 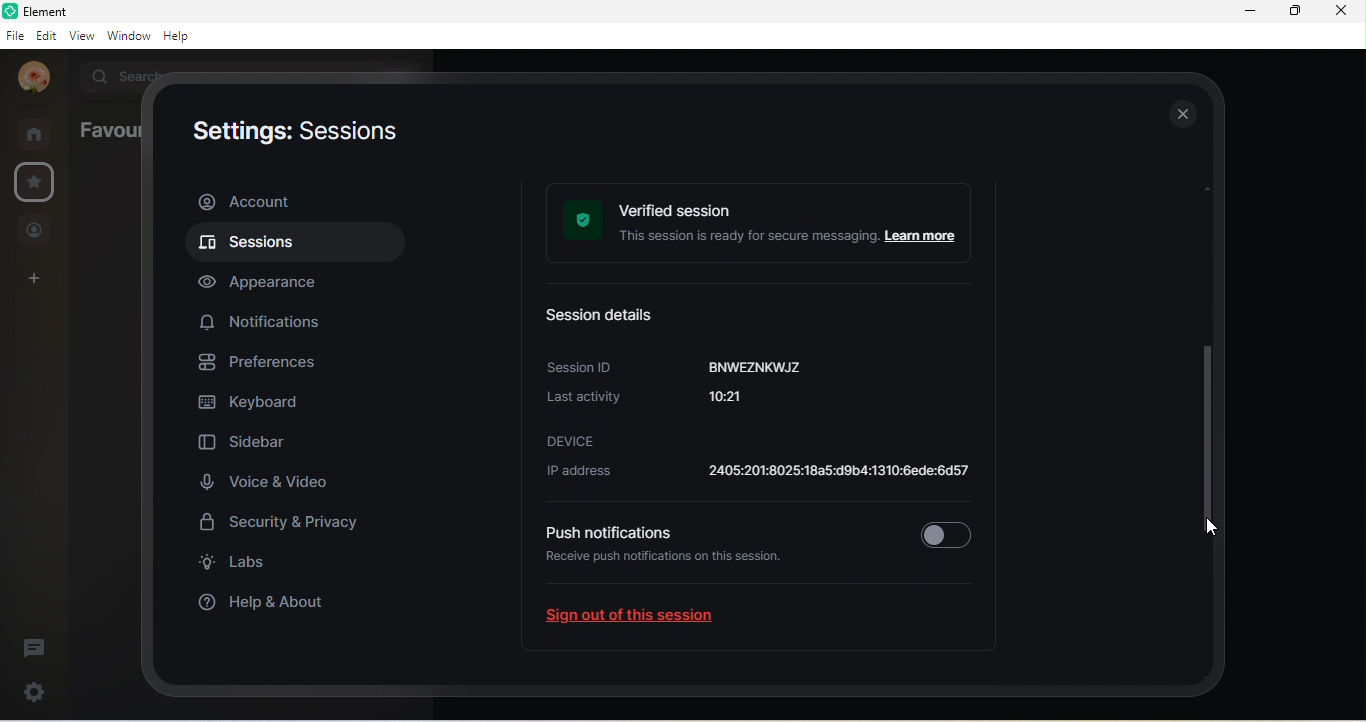 I want to click on help, so click(x=181, y=37).